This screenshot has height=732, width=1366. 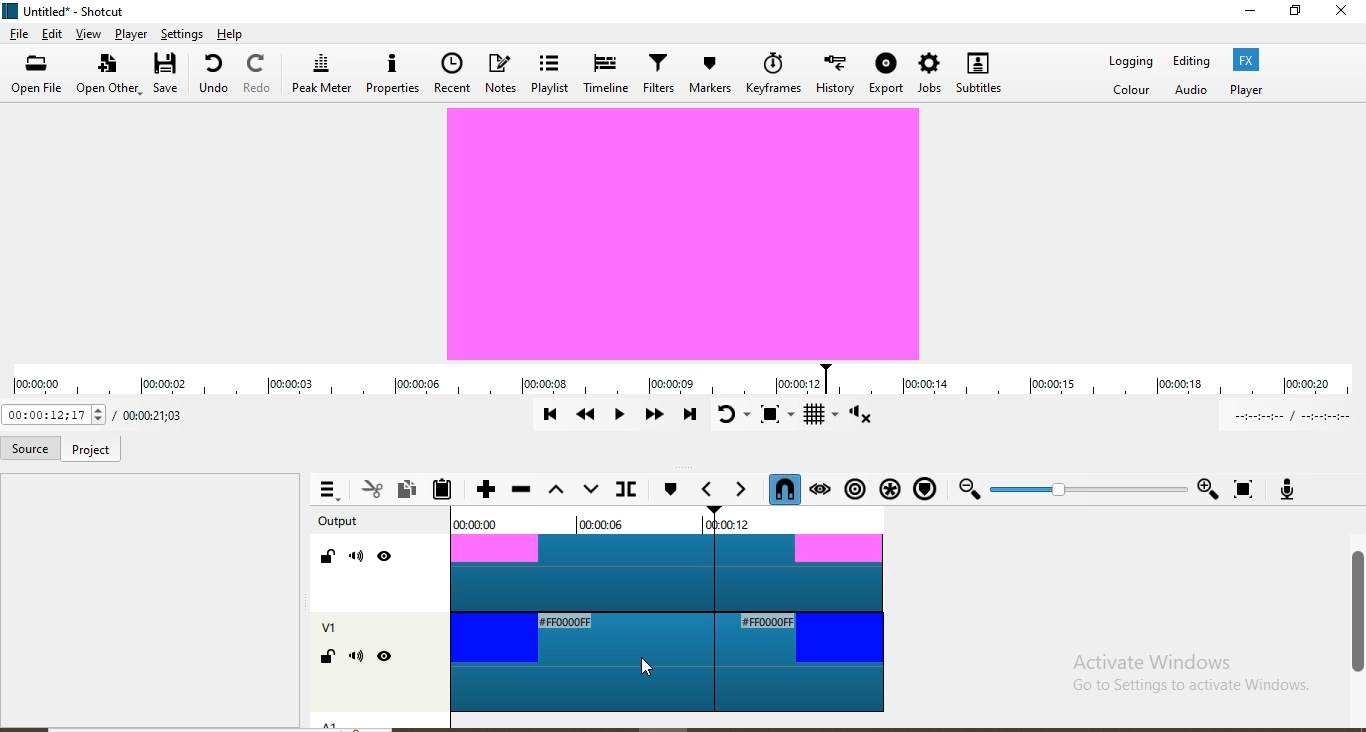 I want to click on video preview, so click(x=682, y=233).